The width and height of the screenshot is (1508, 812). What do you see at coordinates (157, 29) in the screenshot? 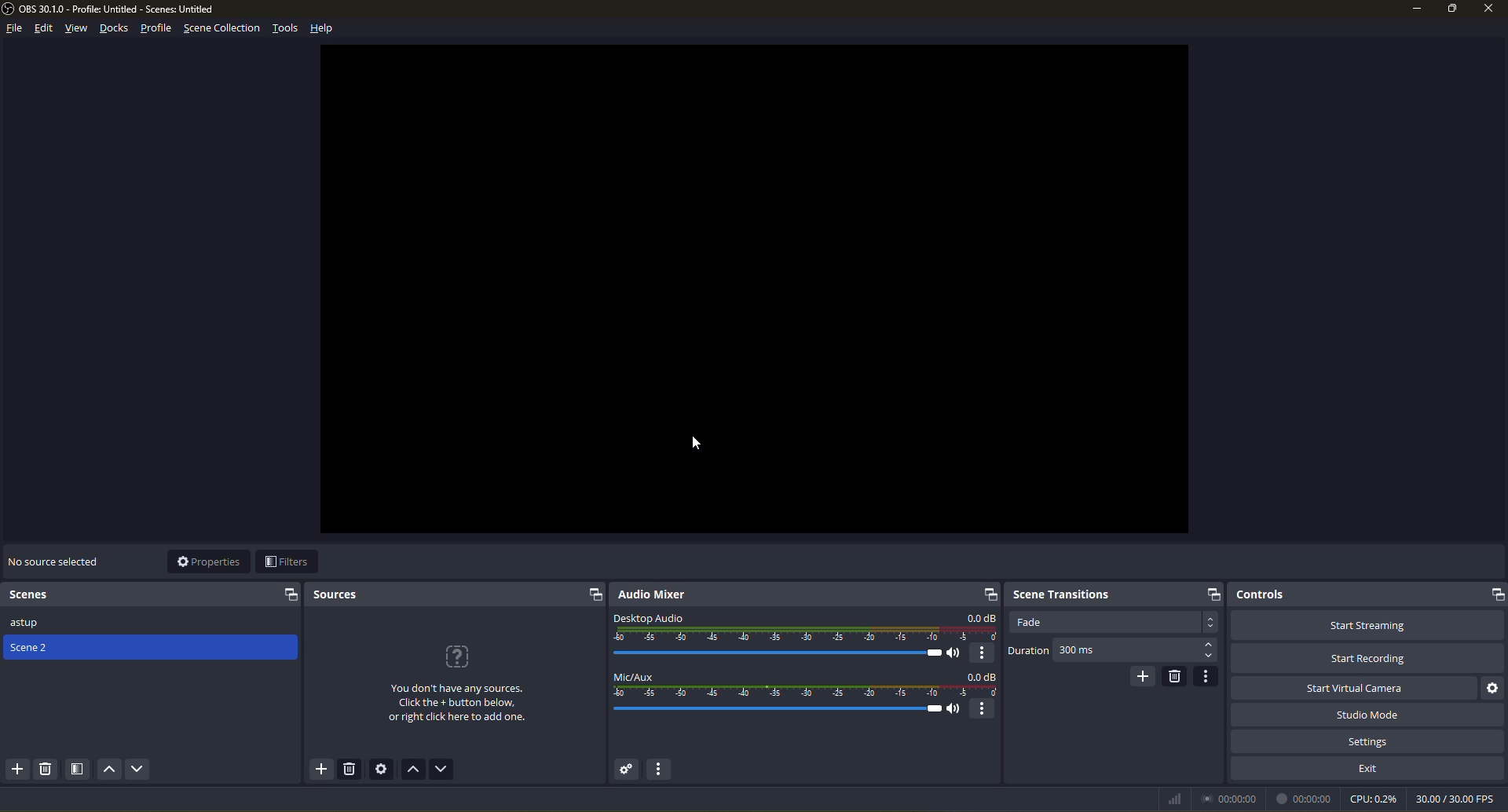
I see `profile` at bounding box center [157, 29].